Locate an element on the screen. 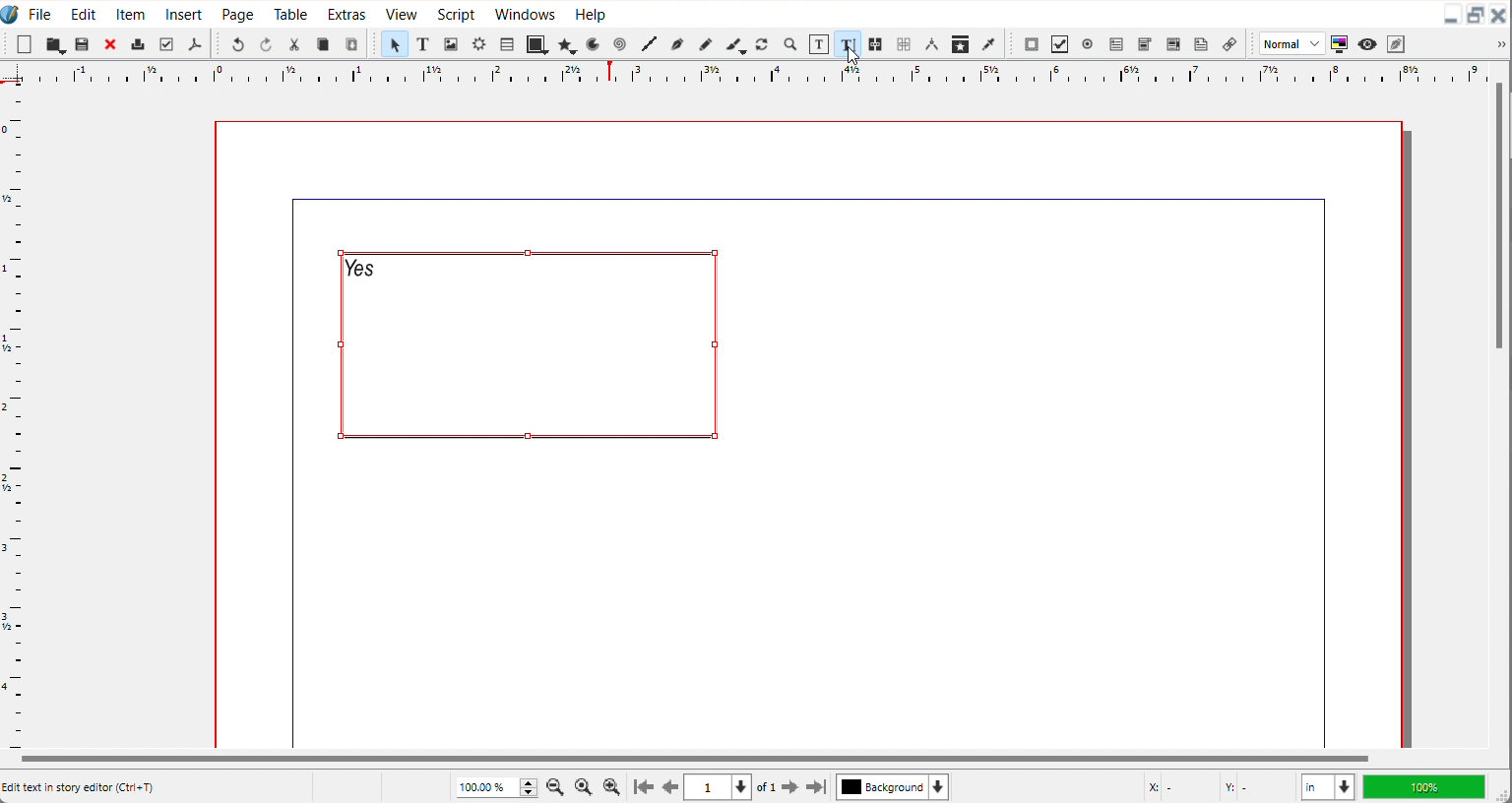 Image resolution: width=1512 pixels, height=803 pixels. Preflight verifier is located at coordinates (165, 44).